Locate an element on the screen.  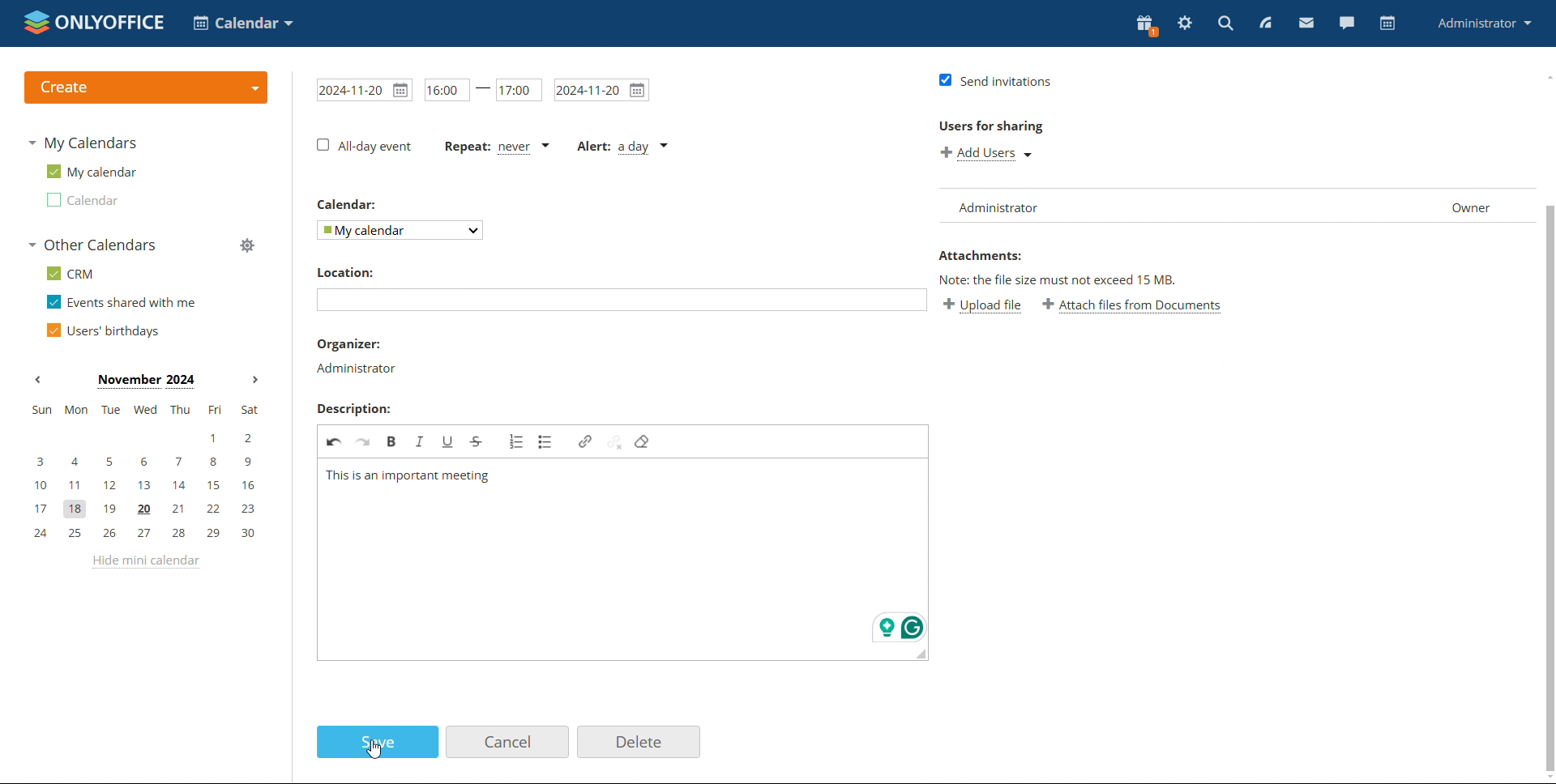
upload file is located at coordinates (984, 308).